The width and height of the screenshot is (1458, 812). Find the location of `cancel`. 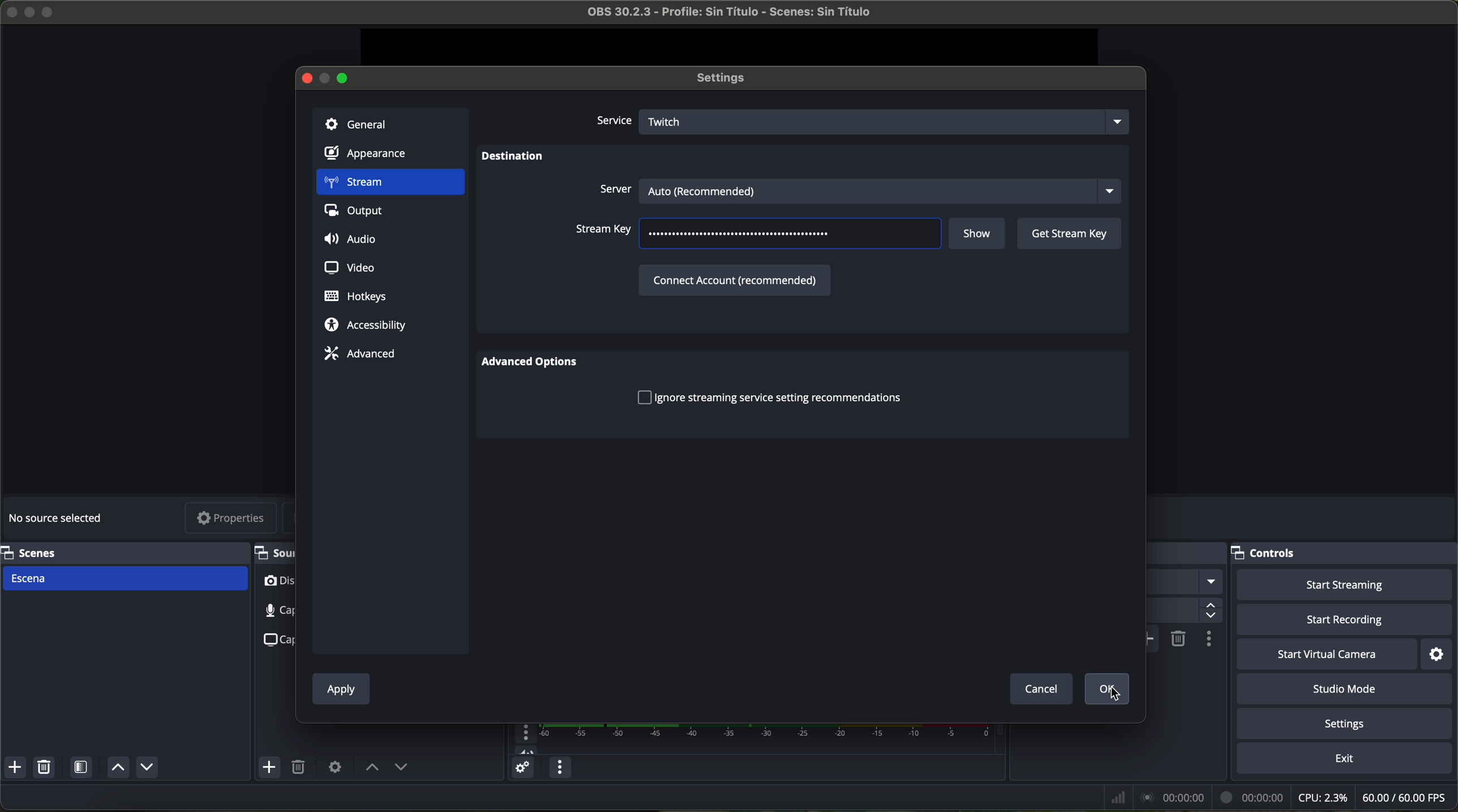

cancel is located at coordinates (1040, 688).